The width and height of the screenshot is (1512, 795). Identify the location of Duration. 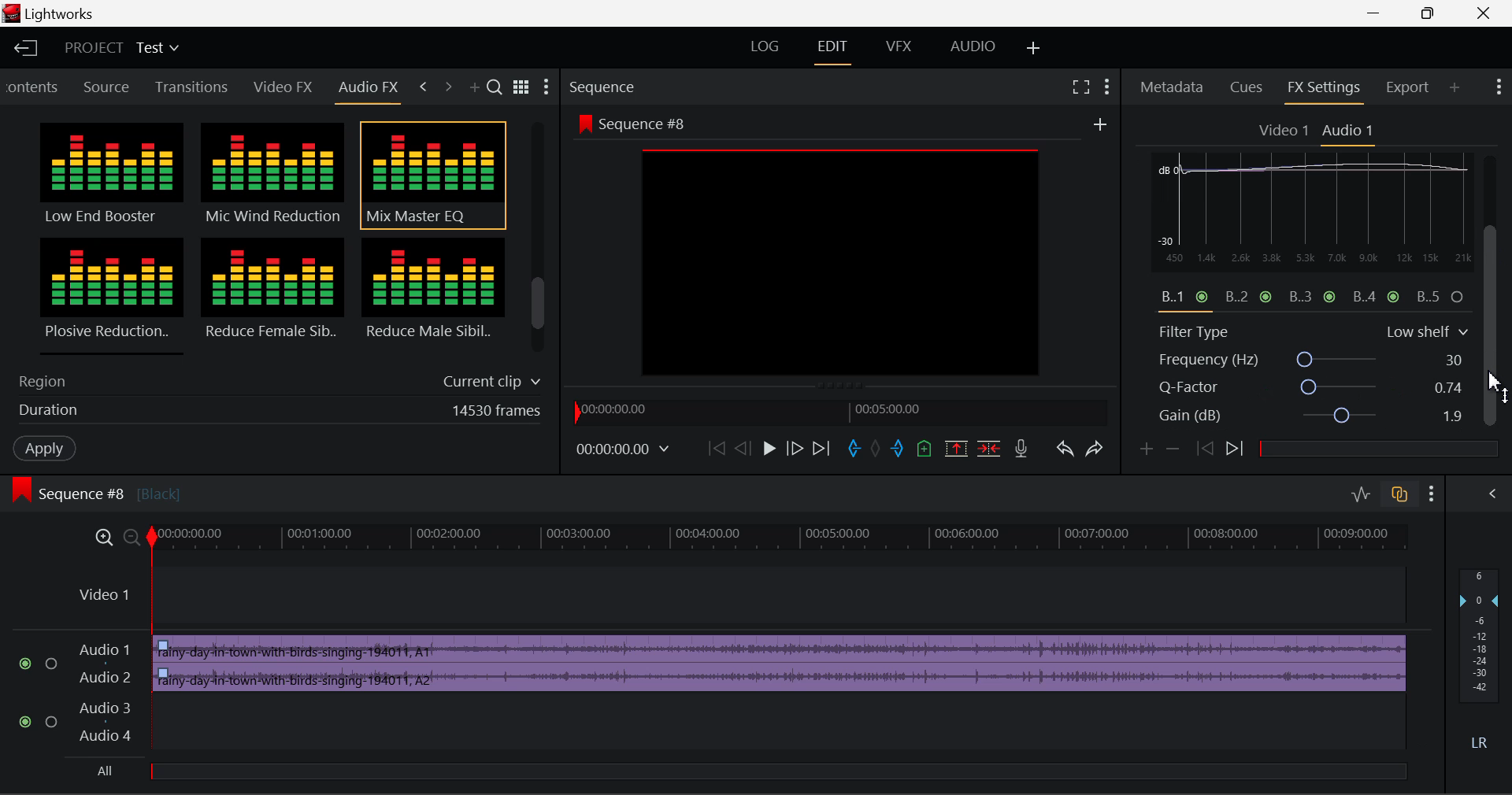
(275, 413).